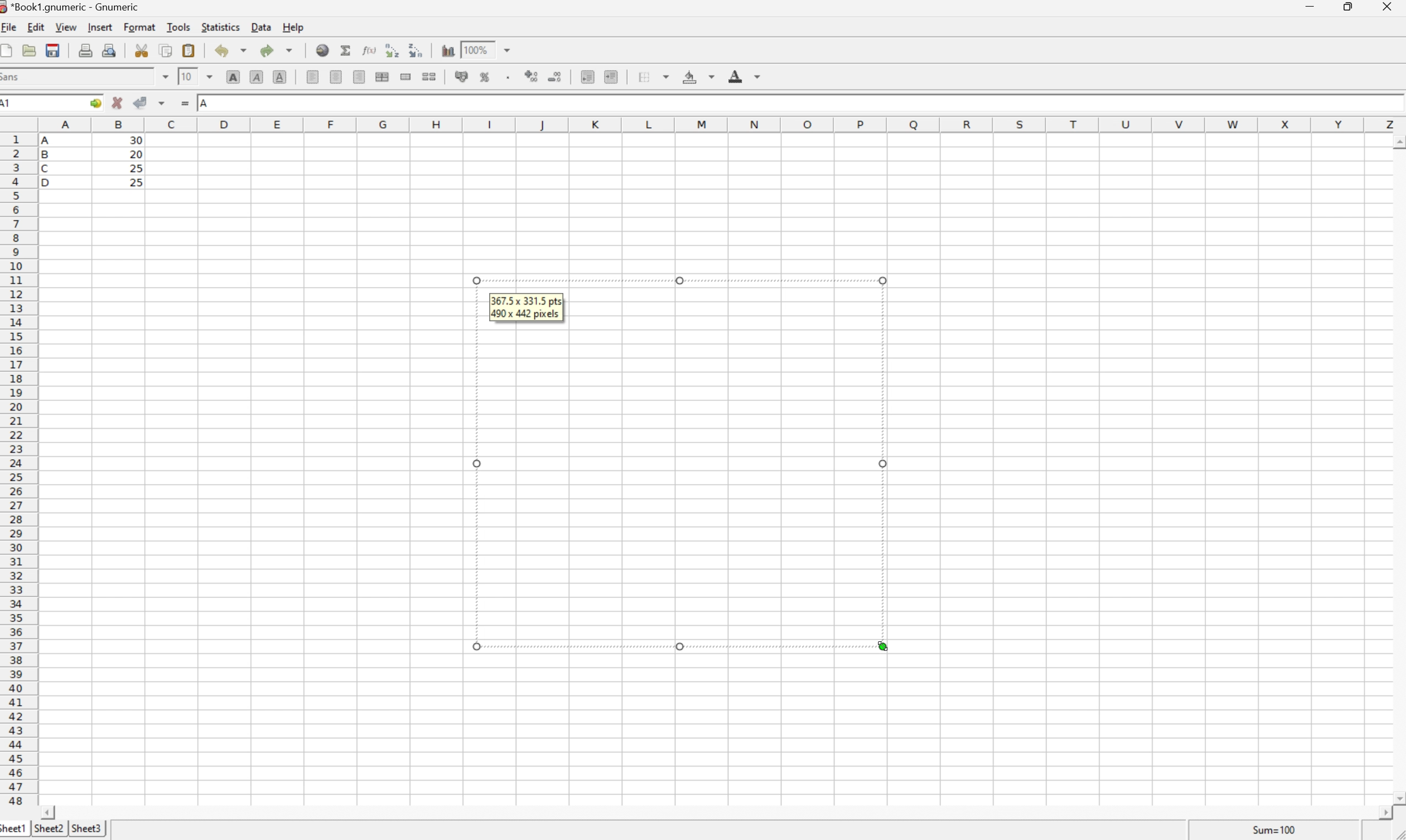  What do you see at coordinates (746, 76) in the screenshot?
I see `Foreground` at bounding box center [746, 76].